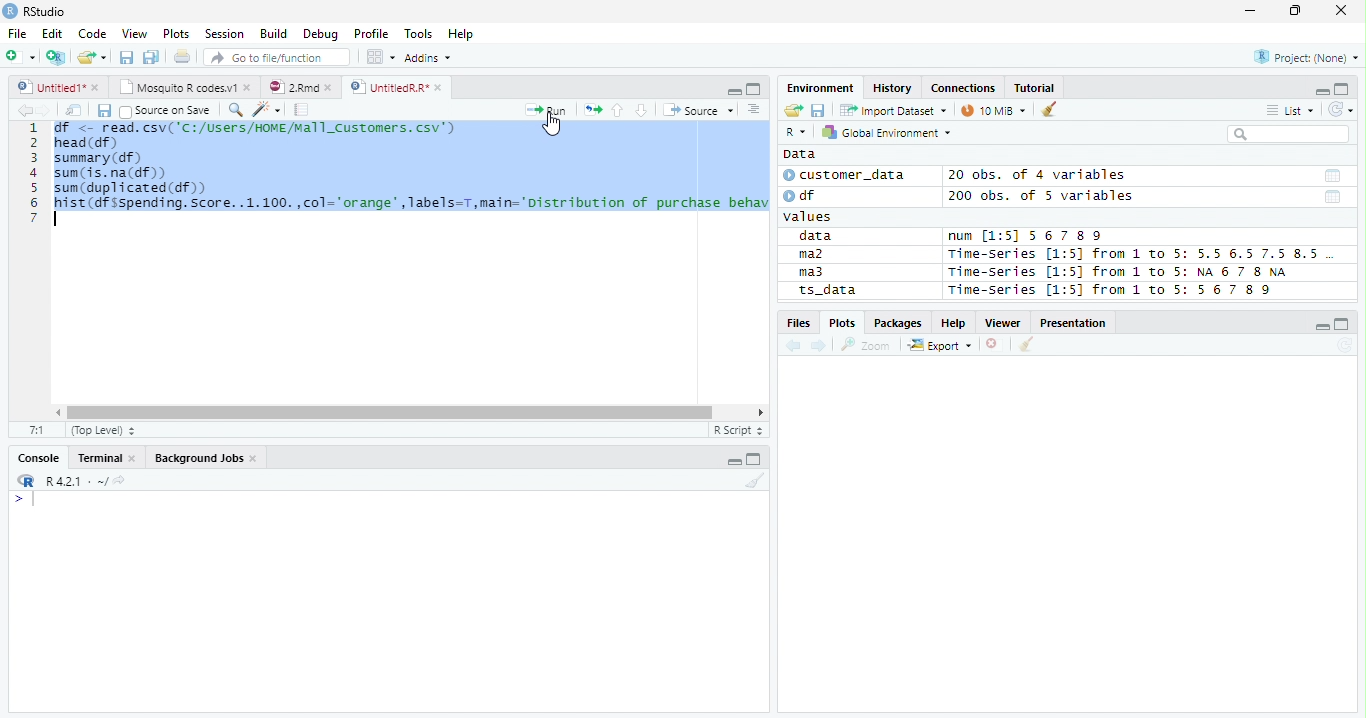 This screenshot has height=718, width=1366. I want to click on ma3, so click(816, 272).